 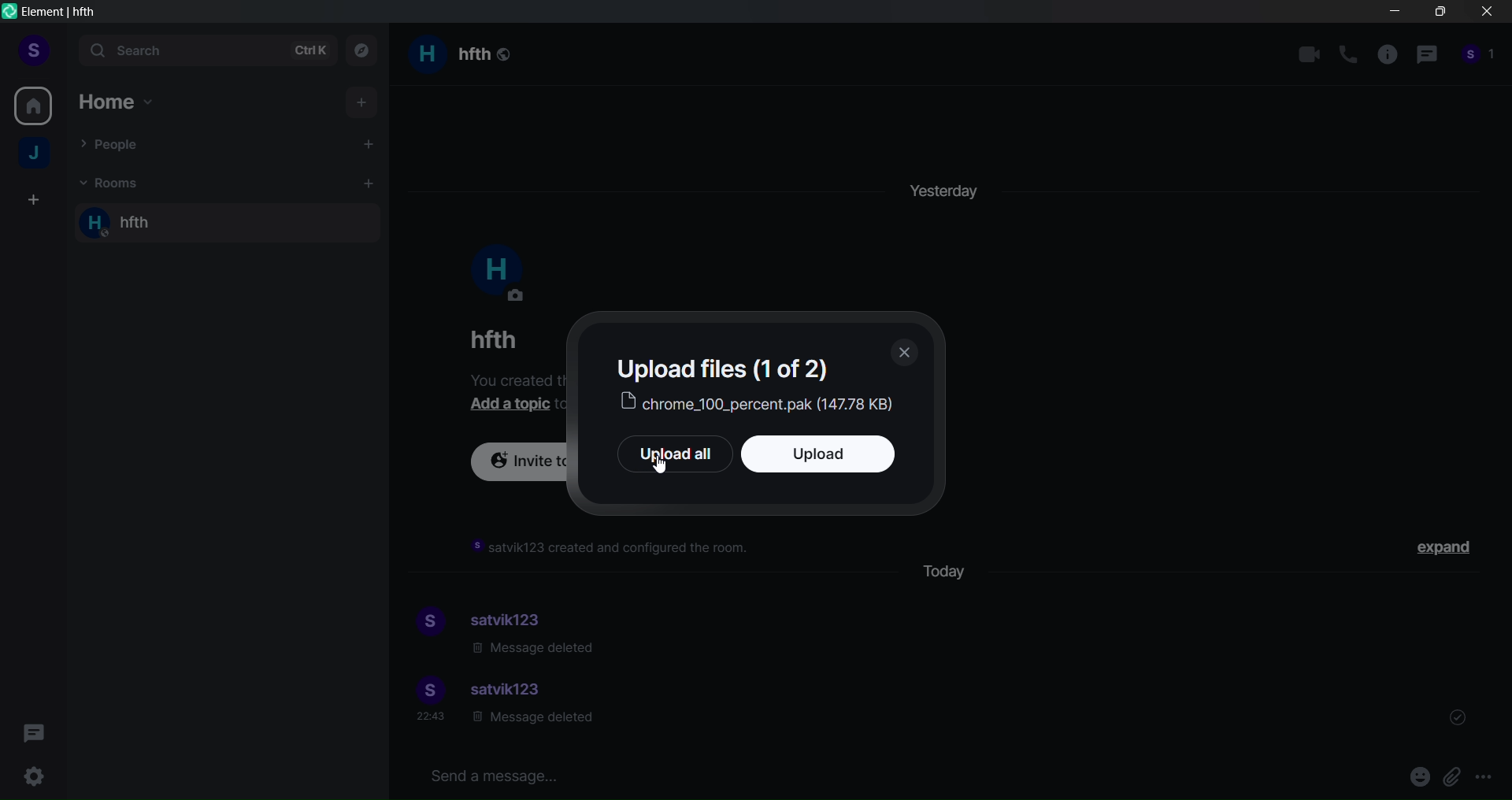 I want to click on explore, so click(x=366, y=50).